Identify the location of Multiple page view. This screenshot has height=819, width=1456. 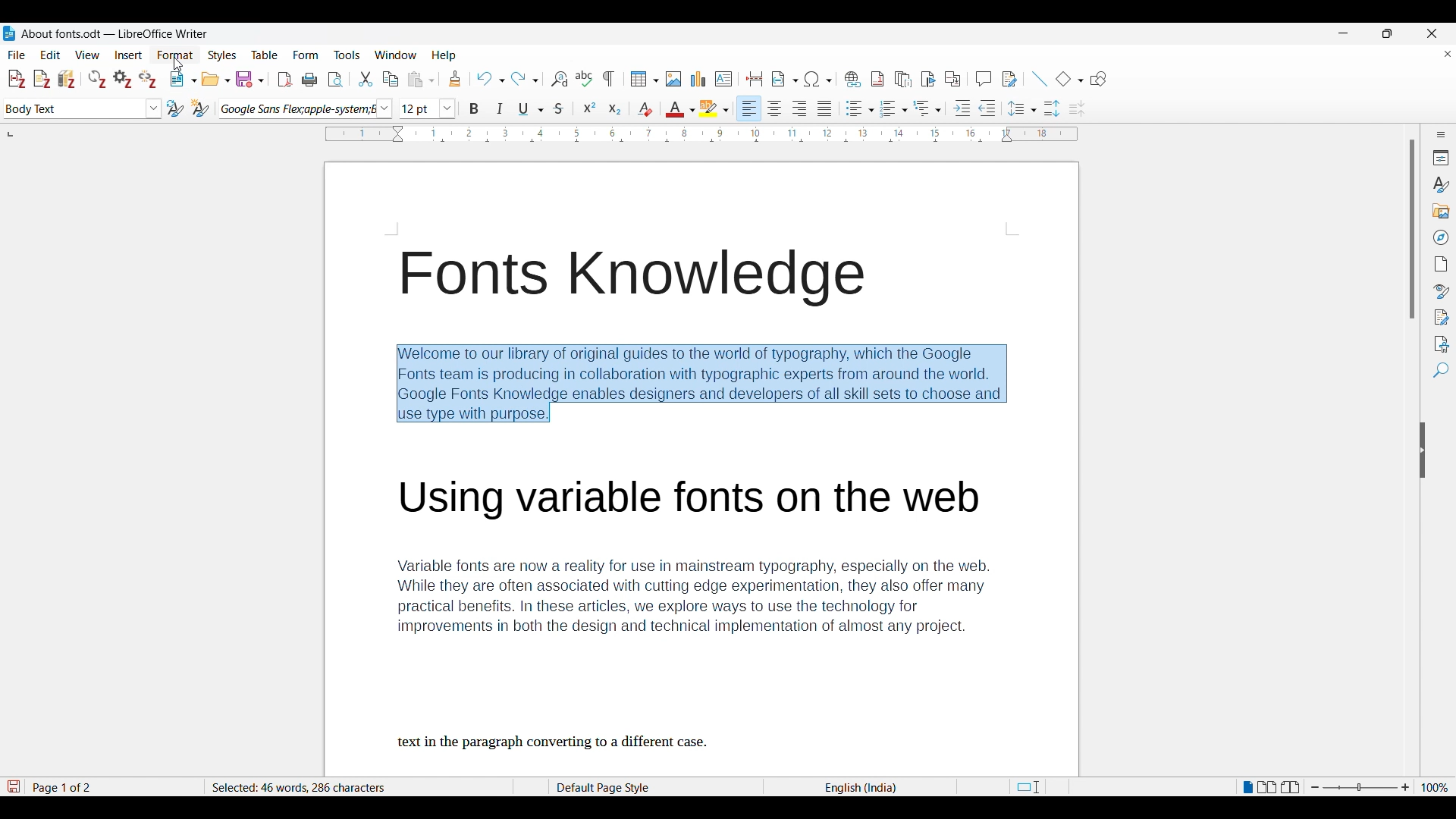
(1267, 787).